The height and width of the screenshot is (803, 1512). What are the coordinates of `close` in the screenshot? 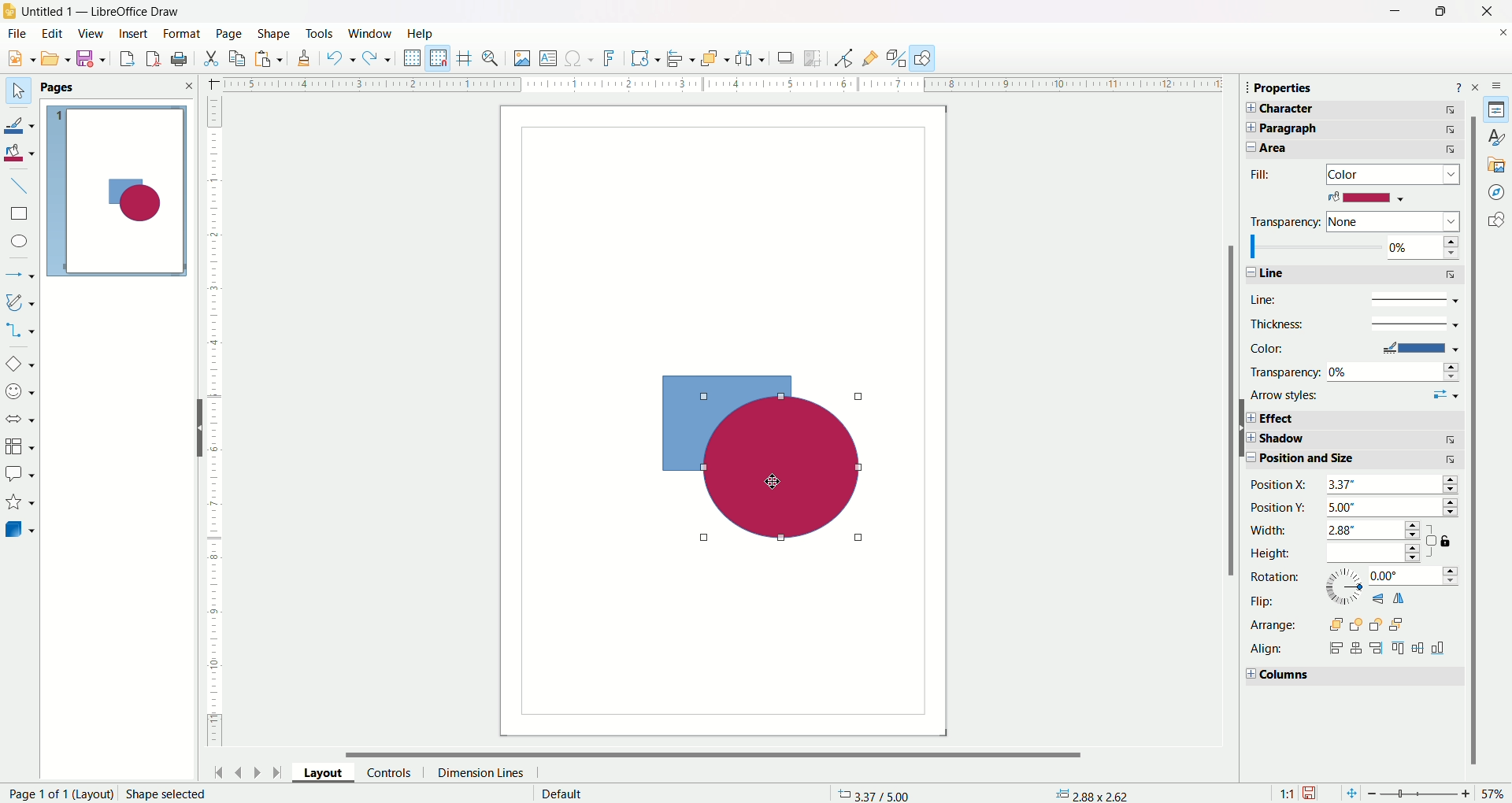 It's located at (1499, 35).